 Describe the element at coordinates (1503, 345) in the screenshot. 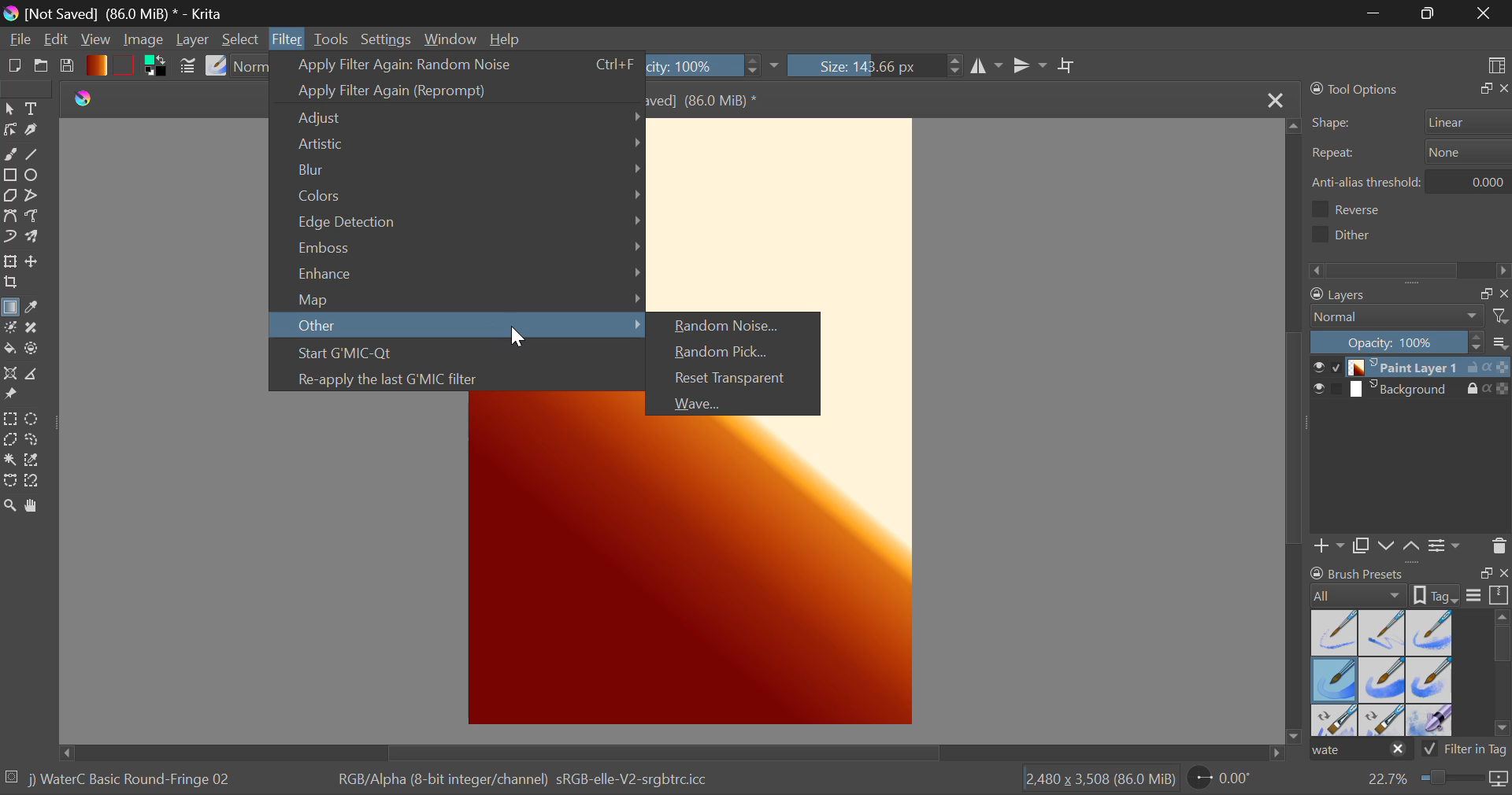

I see `menu` at that location.